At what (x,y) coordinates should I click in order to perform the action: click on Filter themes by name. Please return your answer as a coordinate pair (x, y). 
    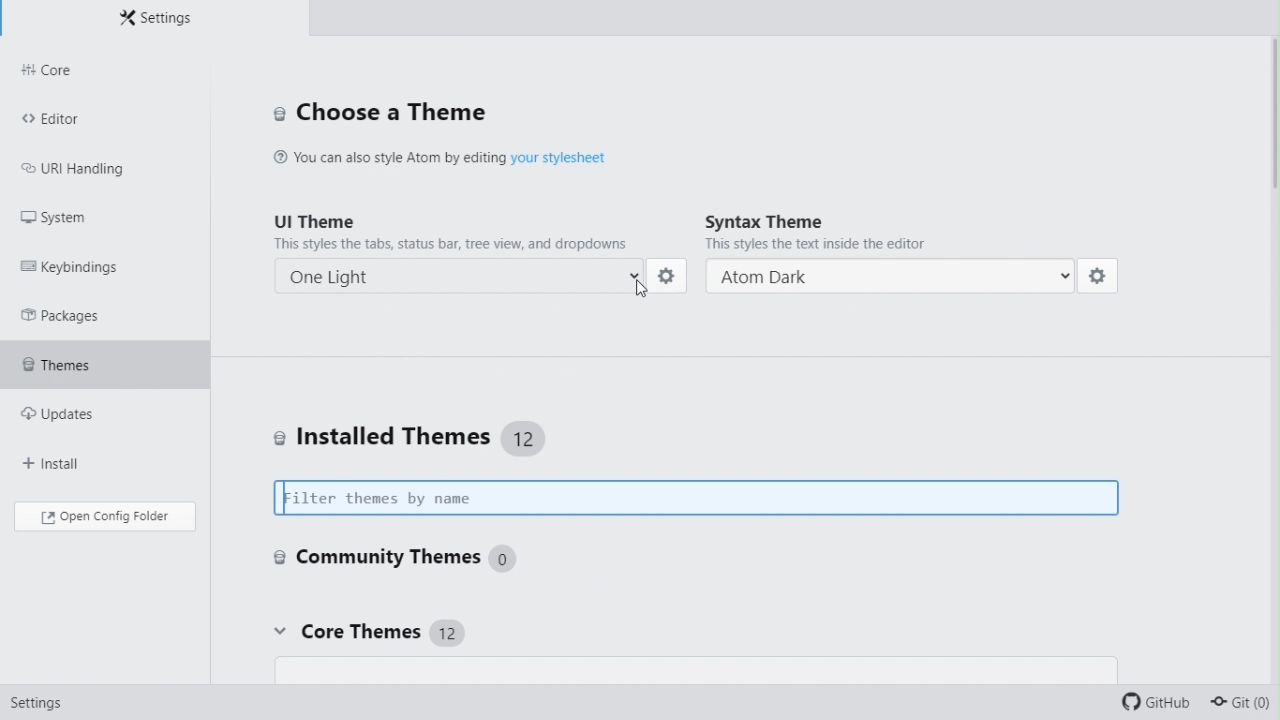
    Looking at the image, I should click on (702, 498).